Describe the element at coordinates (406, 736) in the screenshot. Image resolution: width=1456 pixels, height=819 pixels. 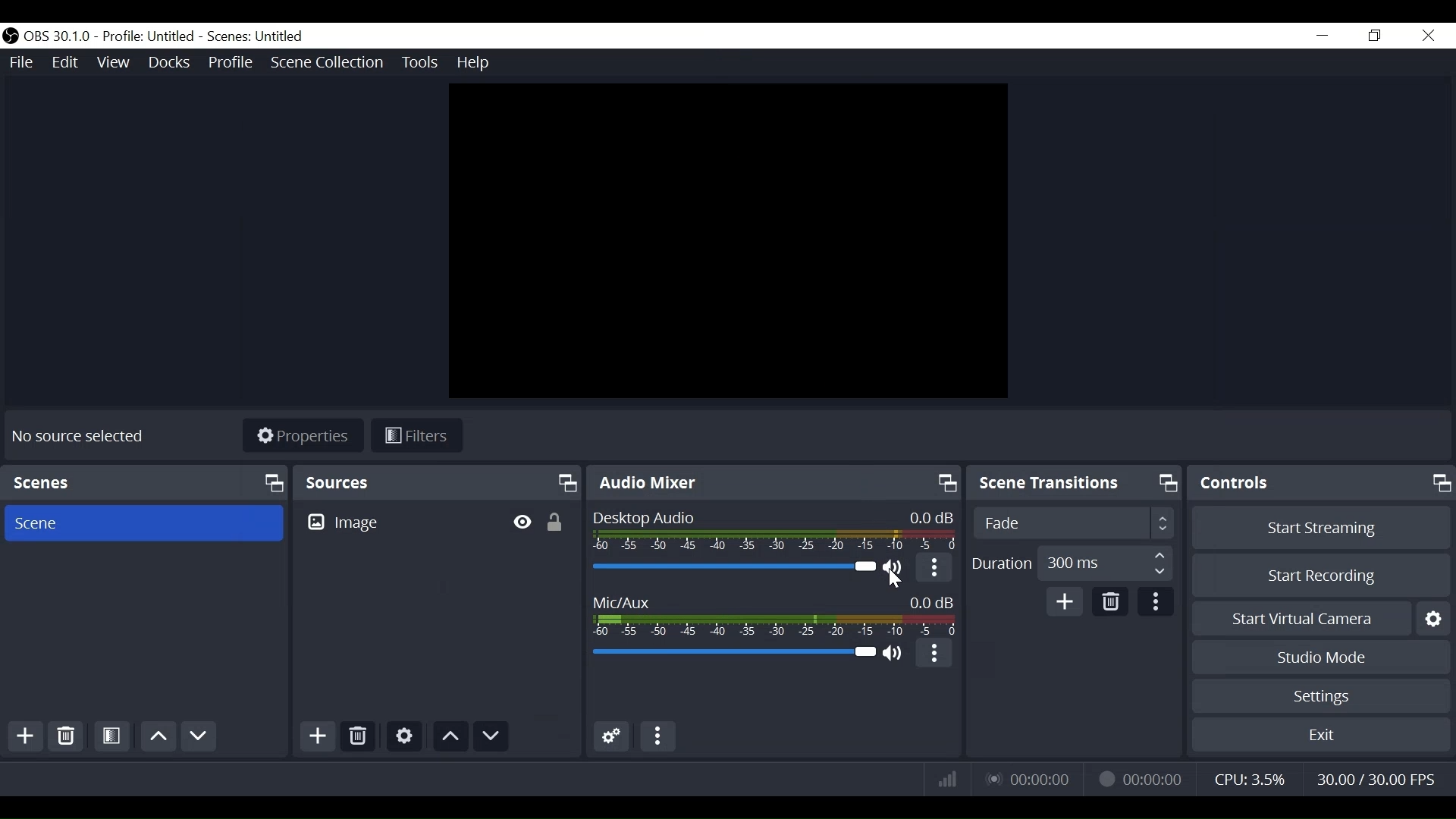
I see `Settings` at that location.